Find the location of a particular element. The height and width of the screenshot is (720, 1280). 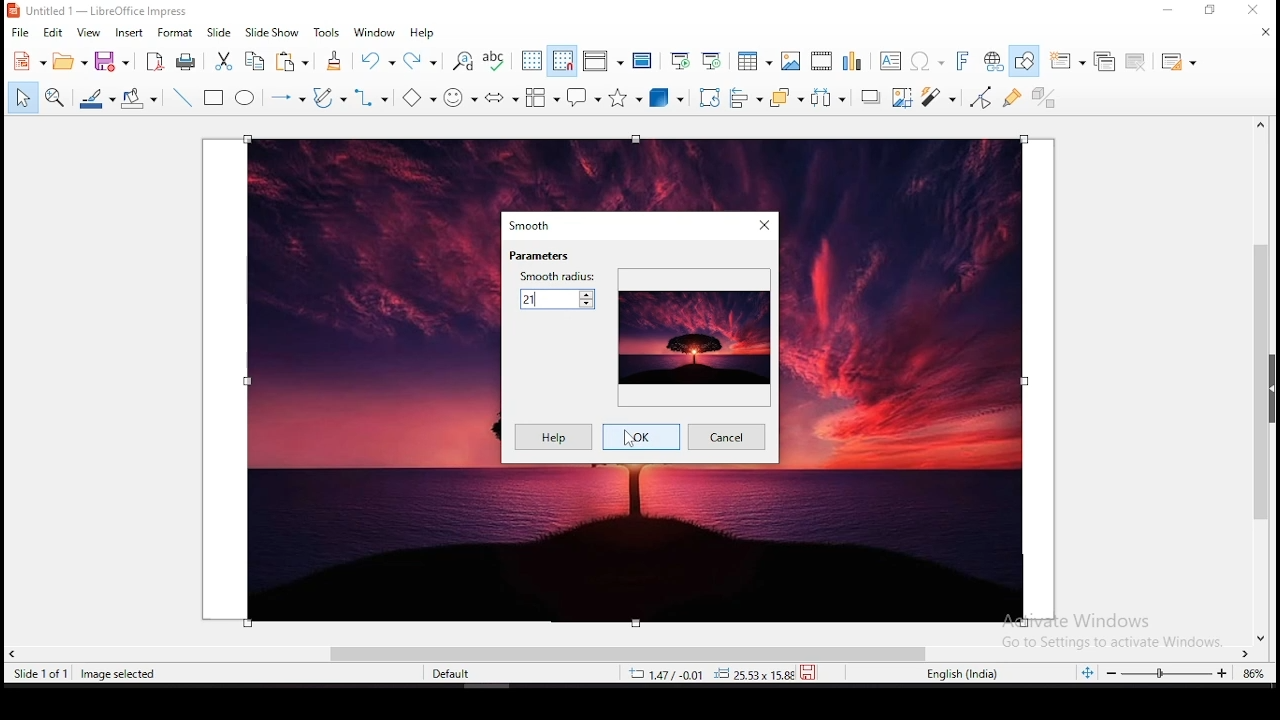

minimize is located at coordinates (1172, 10).